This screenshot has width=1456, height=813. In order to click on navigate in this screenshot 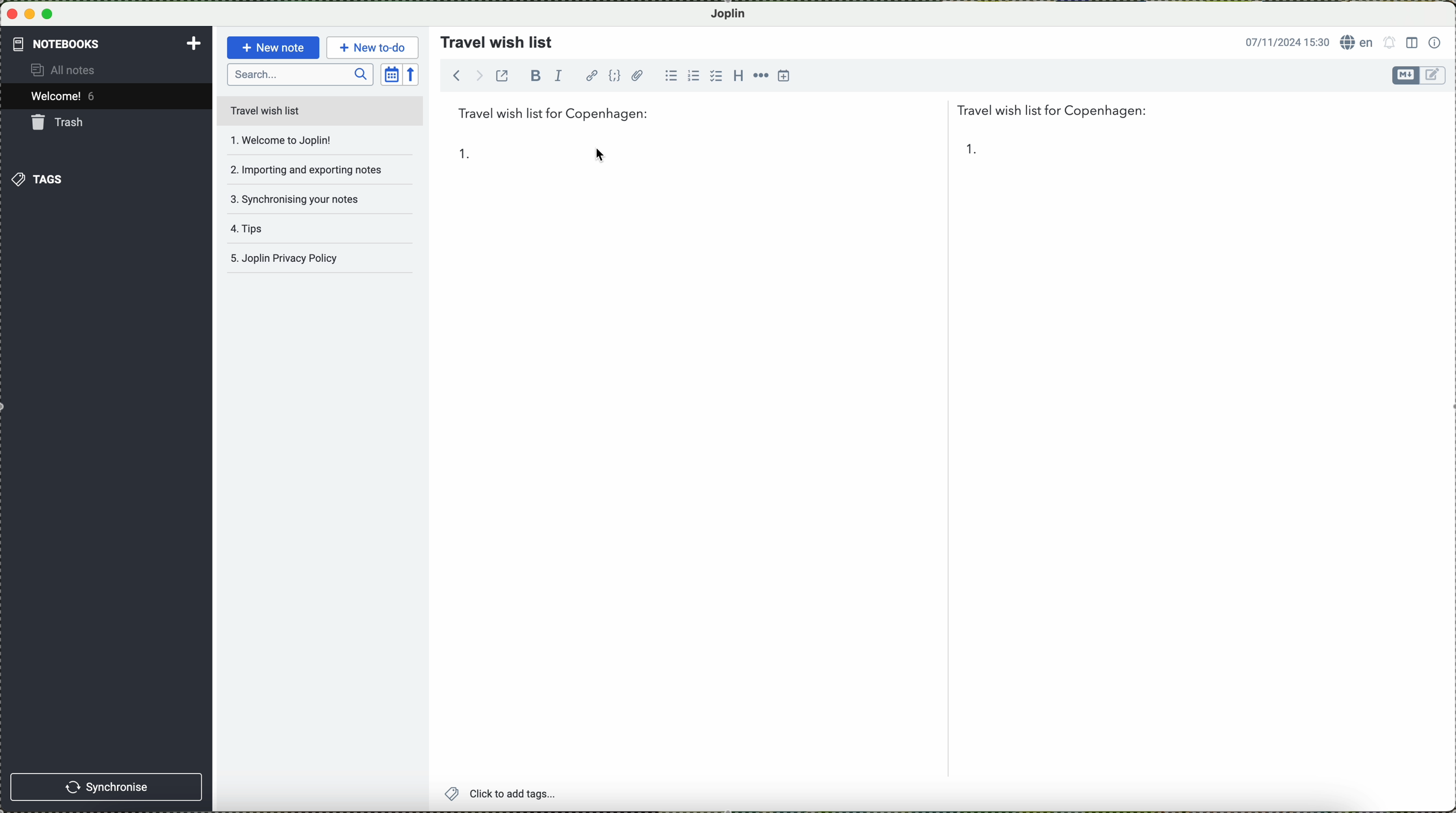, I will do `click(461, 78)`.